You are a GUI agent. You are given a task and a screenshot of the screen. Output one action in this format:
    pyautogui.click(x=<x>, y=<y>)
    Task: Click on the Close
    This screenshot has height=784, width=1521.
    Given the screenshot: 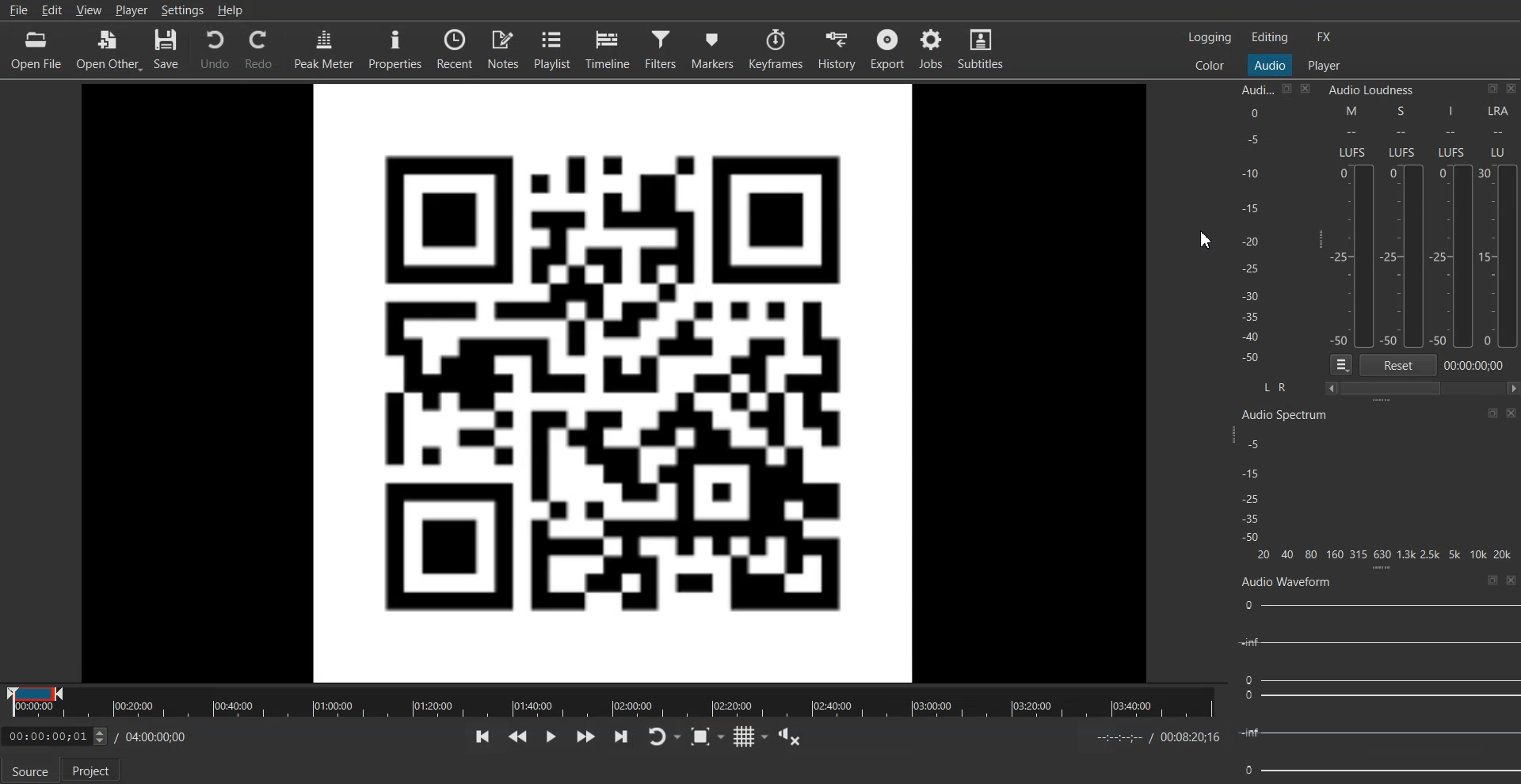 What is the action you would take?
    pyautogui.click(x=1306, y=89)
    